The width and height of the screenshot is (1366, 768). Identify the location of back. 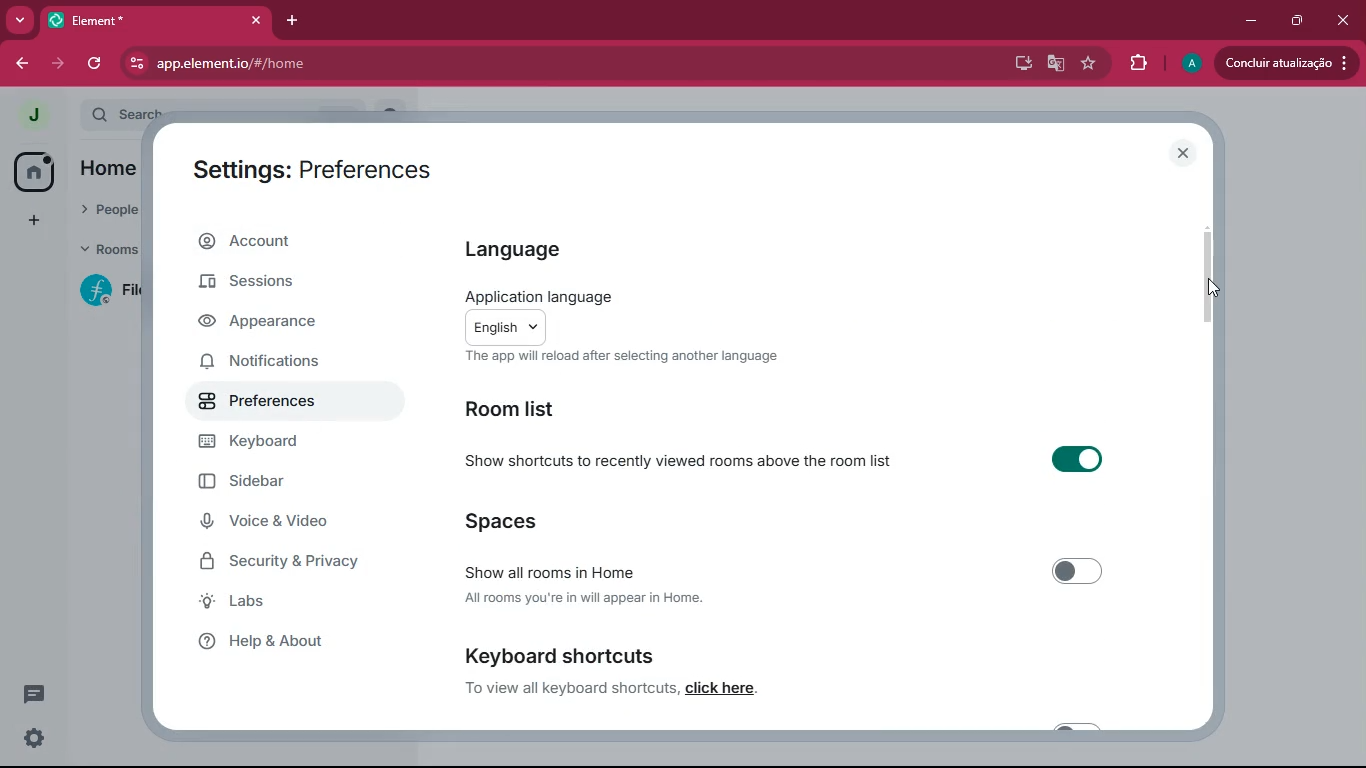
(17, 63).